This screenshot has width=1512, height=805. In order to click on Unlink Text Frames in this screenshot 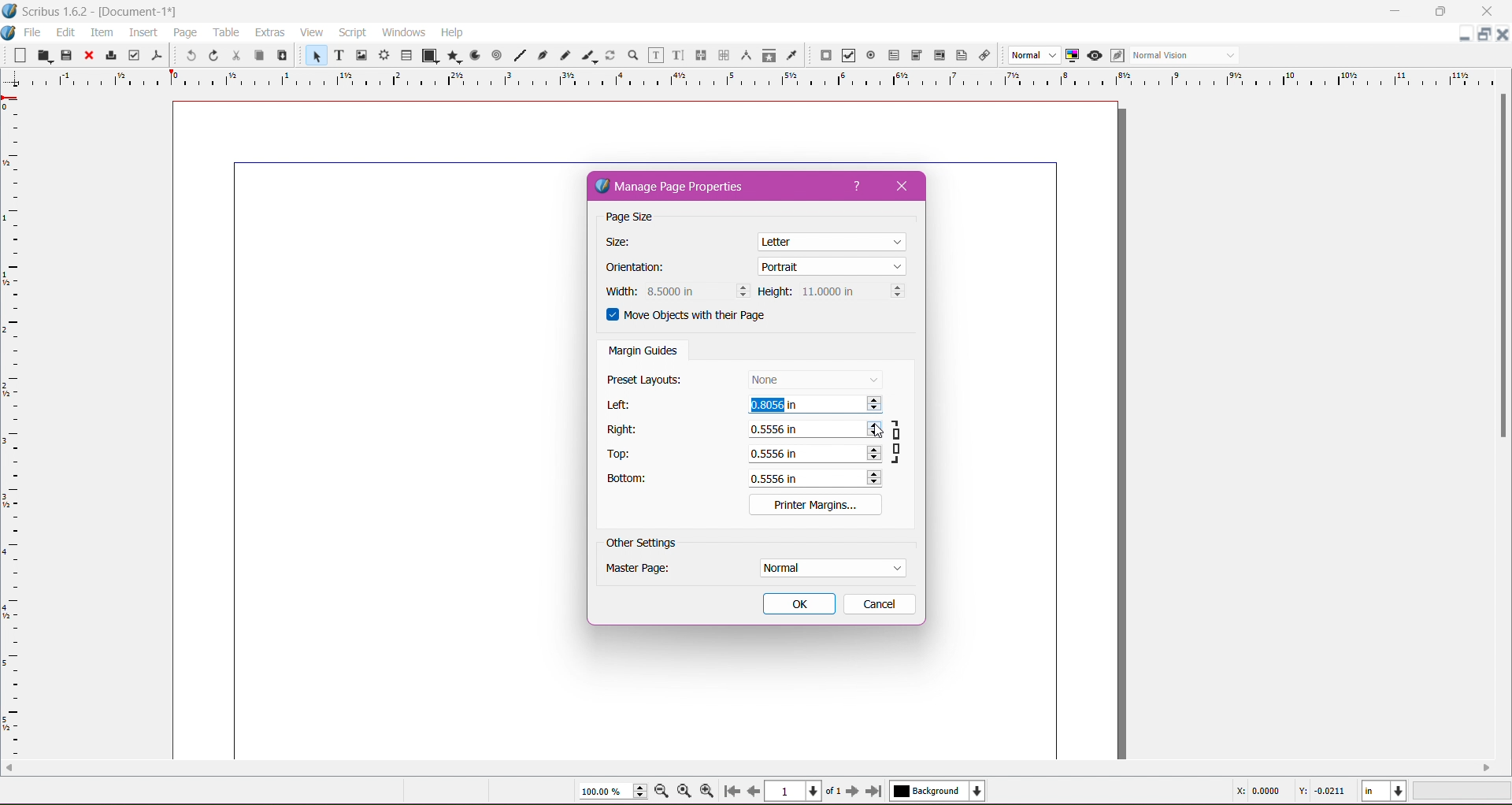, I will do `click(723, 55)`.